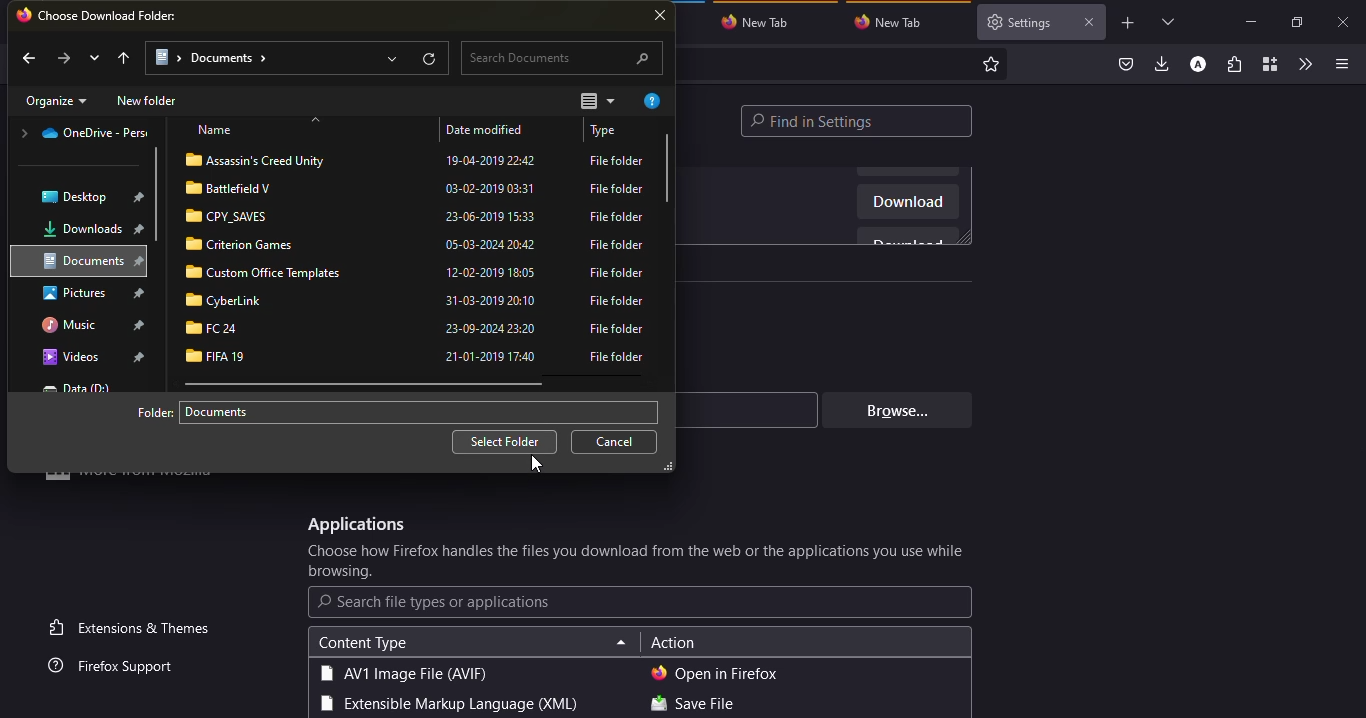 The image size is (1366, 718). I want to click on folder, so click(229, 299).